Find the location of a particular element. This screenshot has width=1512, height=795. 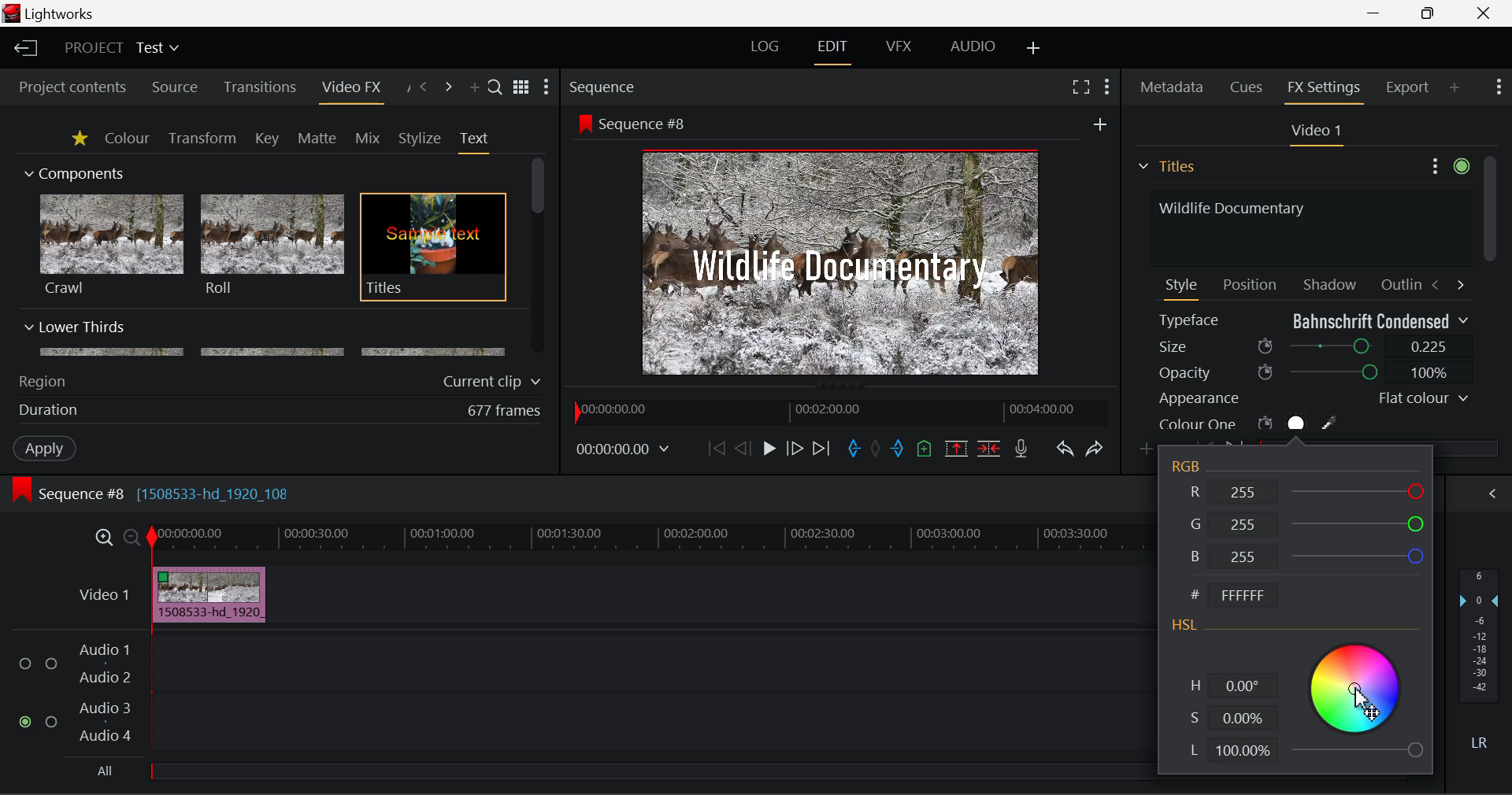

checkbox is located at coordinates (28, 664).